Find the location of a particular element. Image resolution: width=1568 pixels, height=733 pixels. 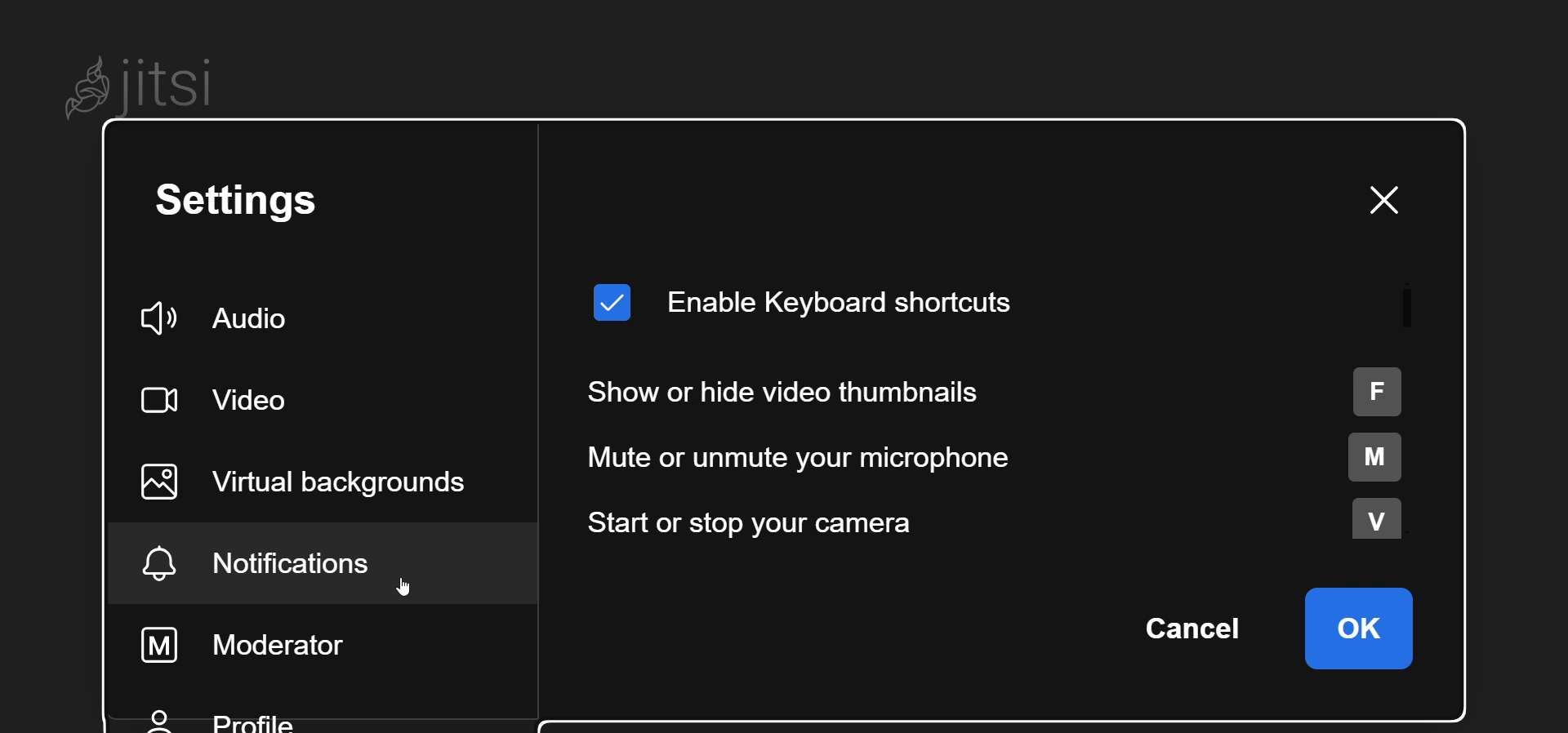

close dialog is located at coordinates (1396, 201).